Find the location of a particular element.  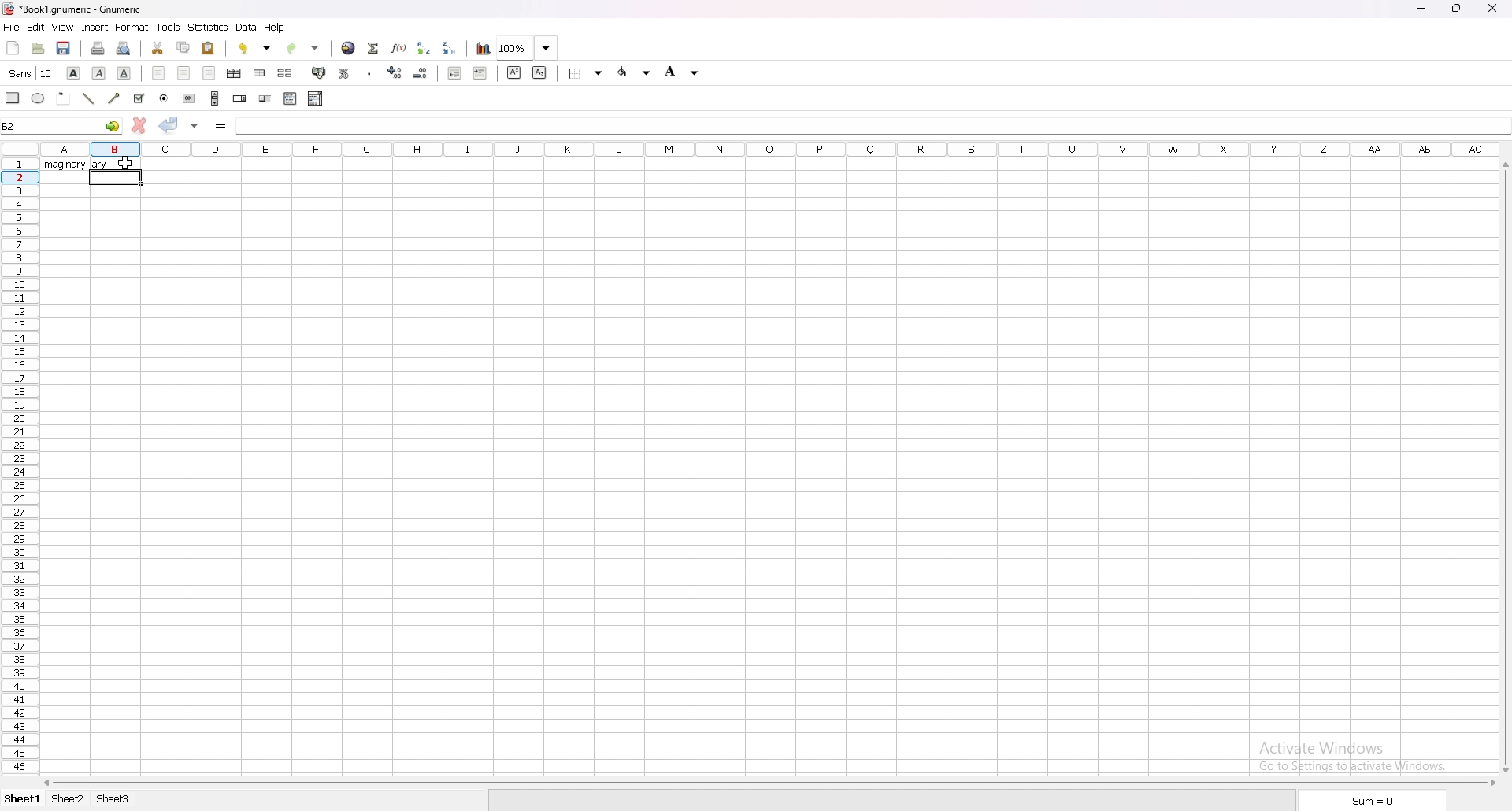

ellipse is located at coordinates (39, 97).